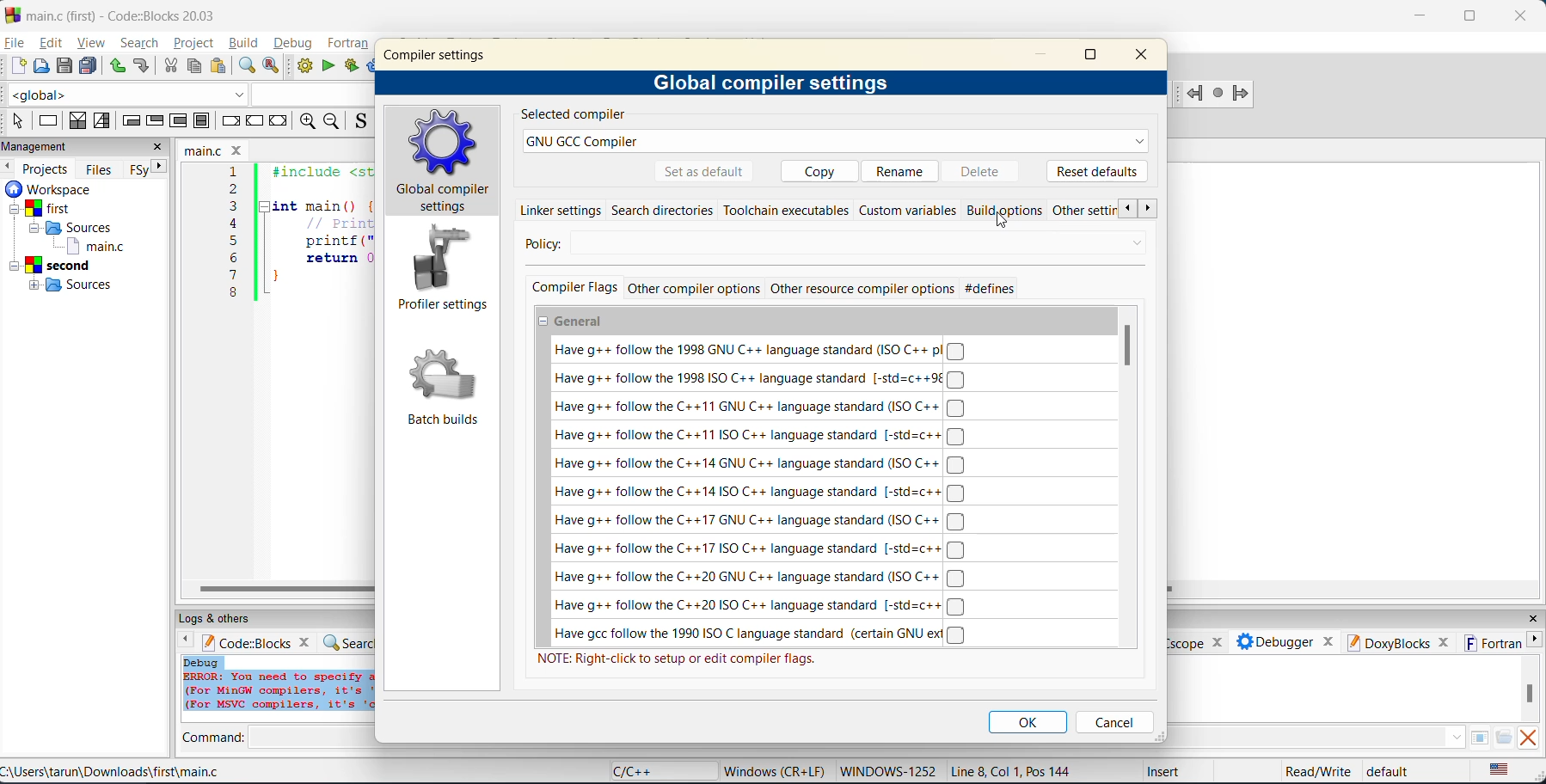  Describe the element at coordinates (987, 170) in the screenshot. I see `delete` at that location.